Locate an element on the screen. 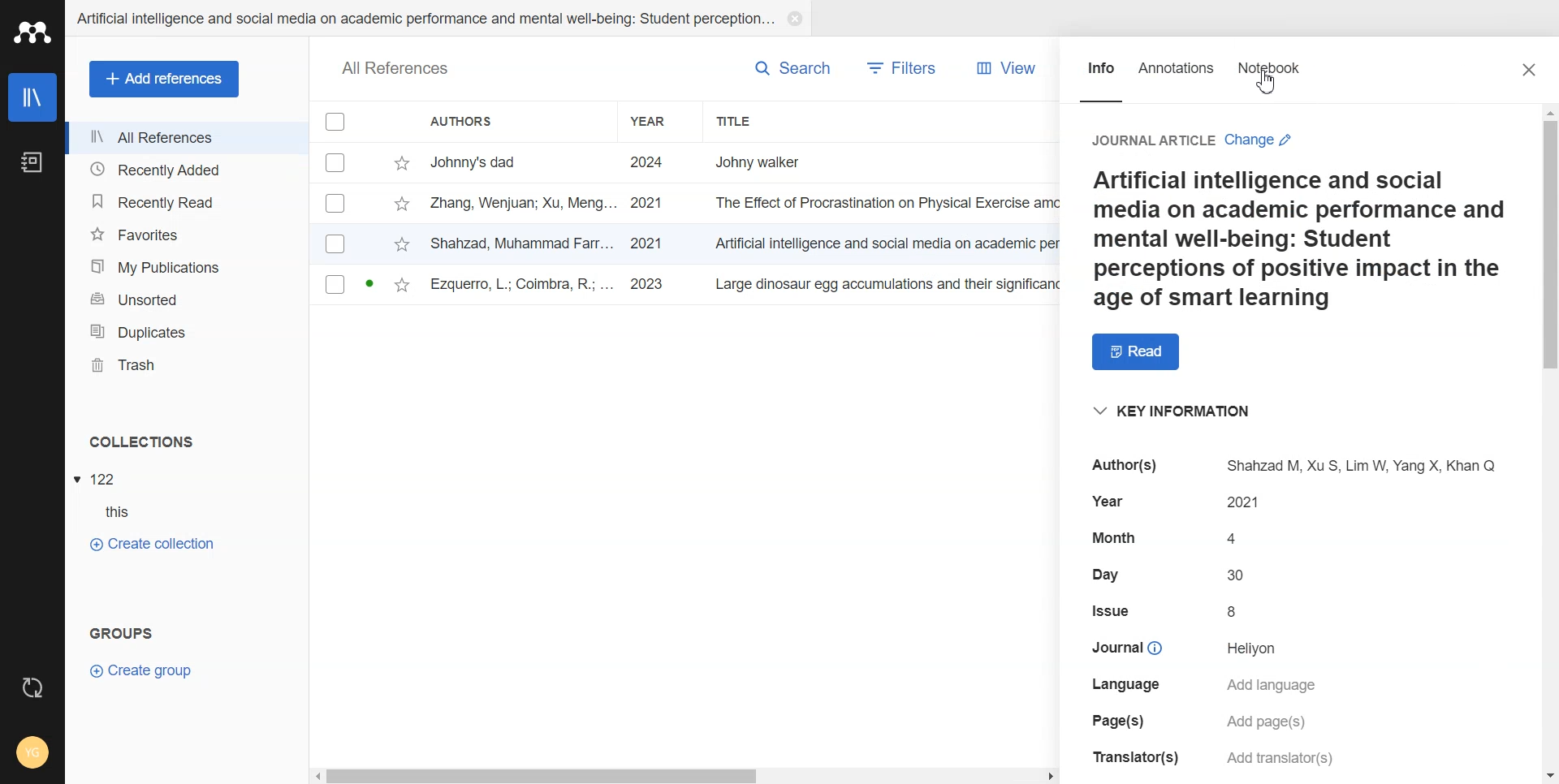 Image resolution: width=1559 pixels, height=784 pixels. 2021 is located at coordinates (647, 204).